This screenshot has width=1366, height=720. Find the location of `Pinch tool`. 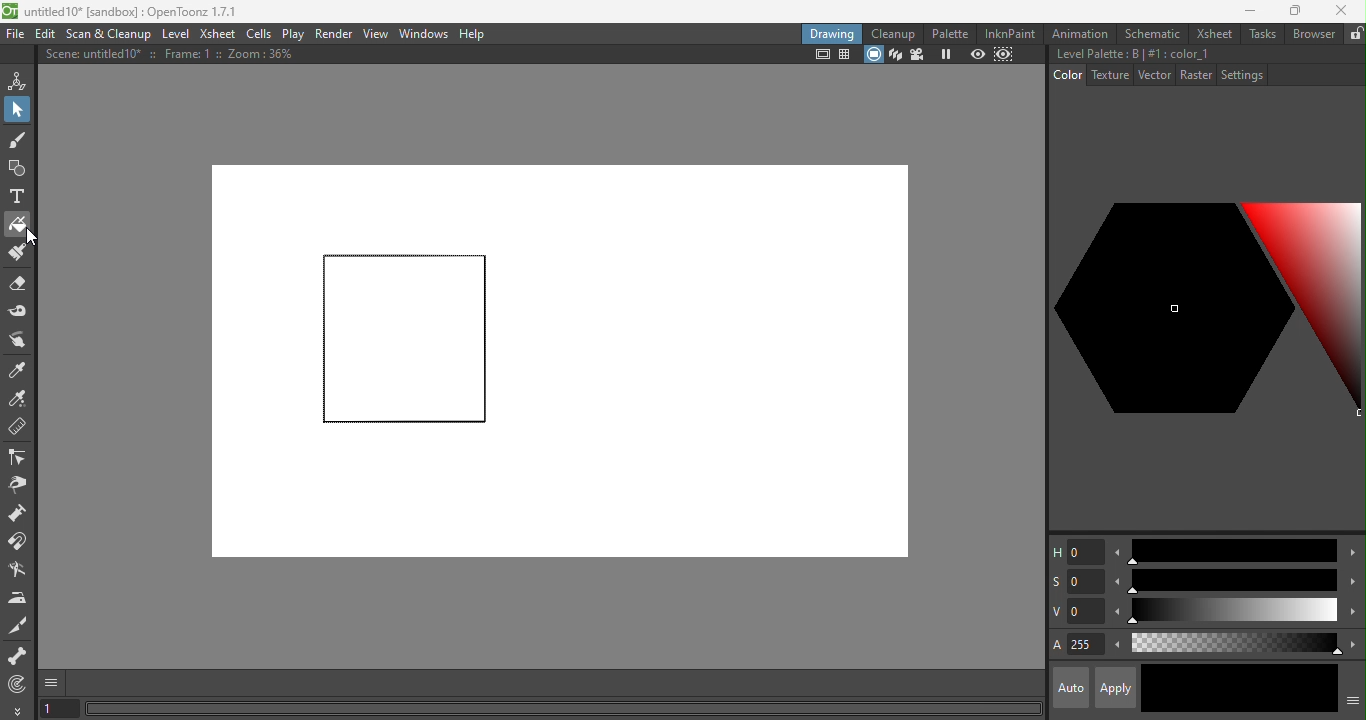

Pinch tool is located at coordinates (21, 484).